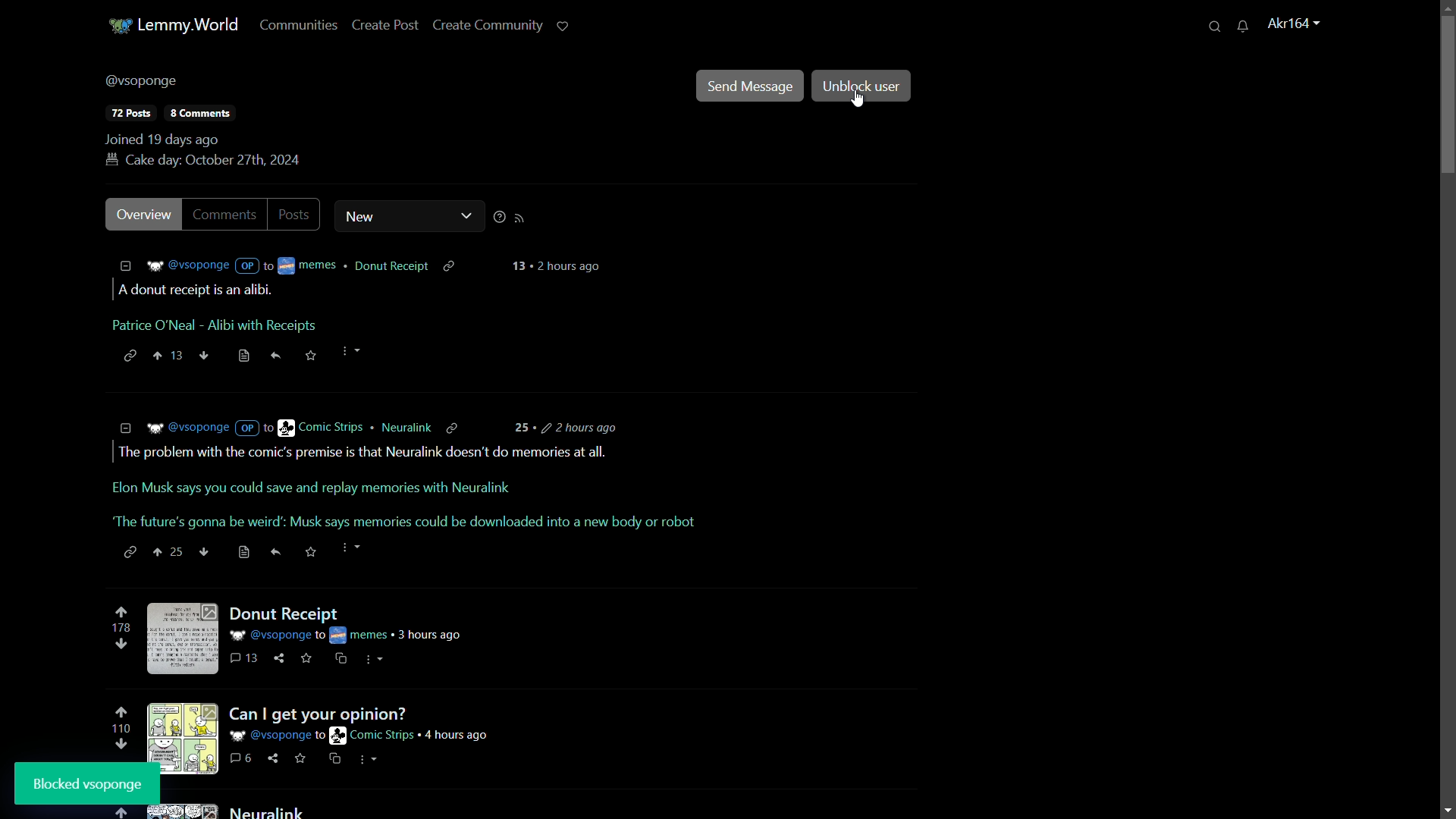 The width and height of the screenshot is (1456, 819). Describe the element at coordinates (279, 552) in the screenshot. I see `share` at that location.